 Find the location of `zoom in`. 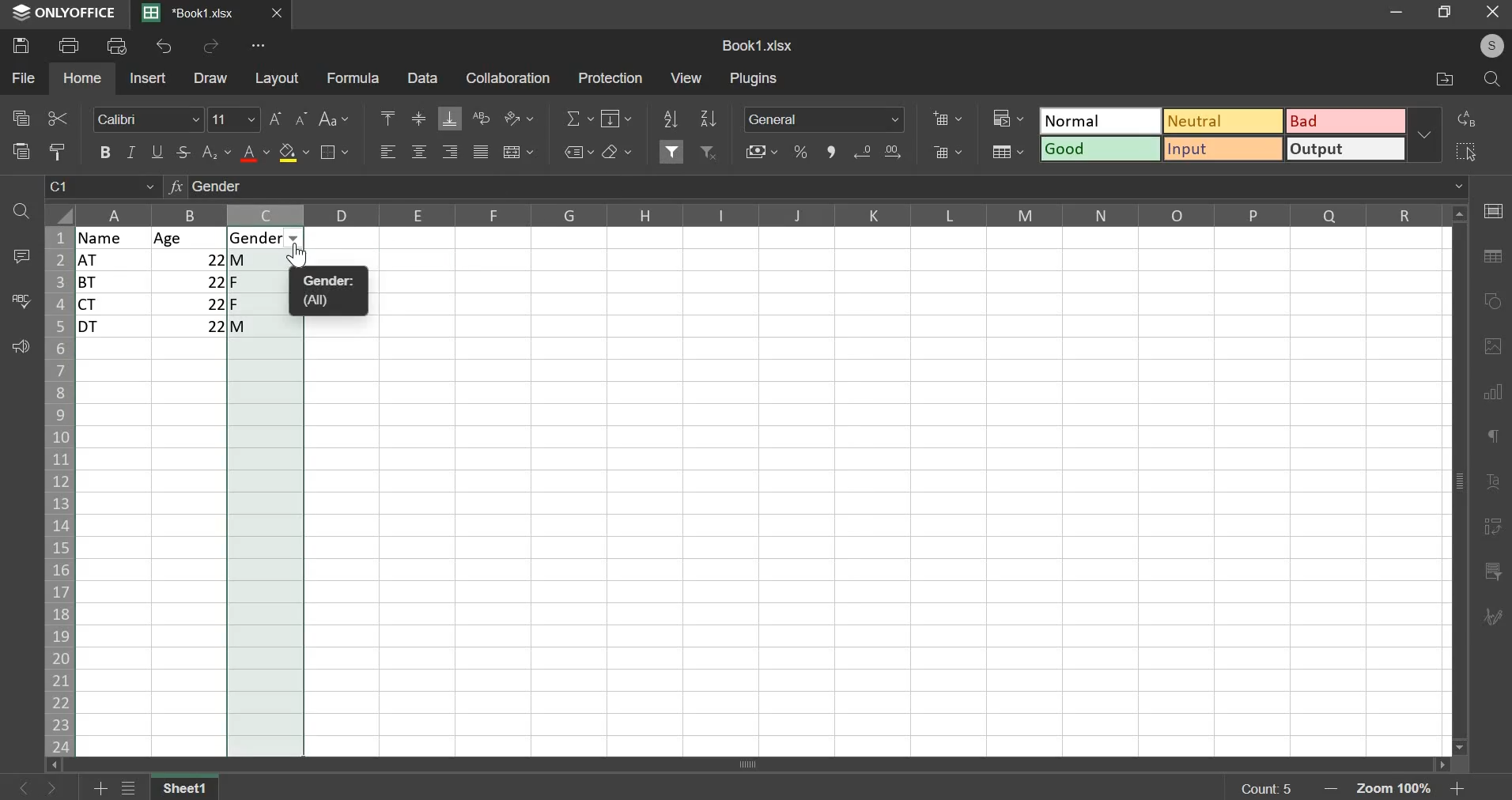

zoom in is located at coordinates (1454, 790).